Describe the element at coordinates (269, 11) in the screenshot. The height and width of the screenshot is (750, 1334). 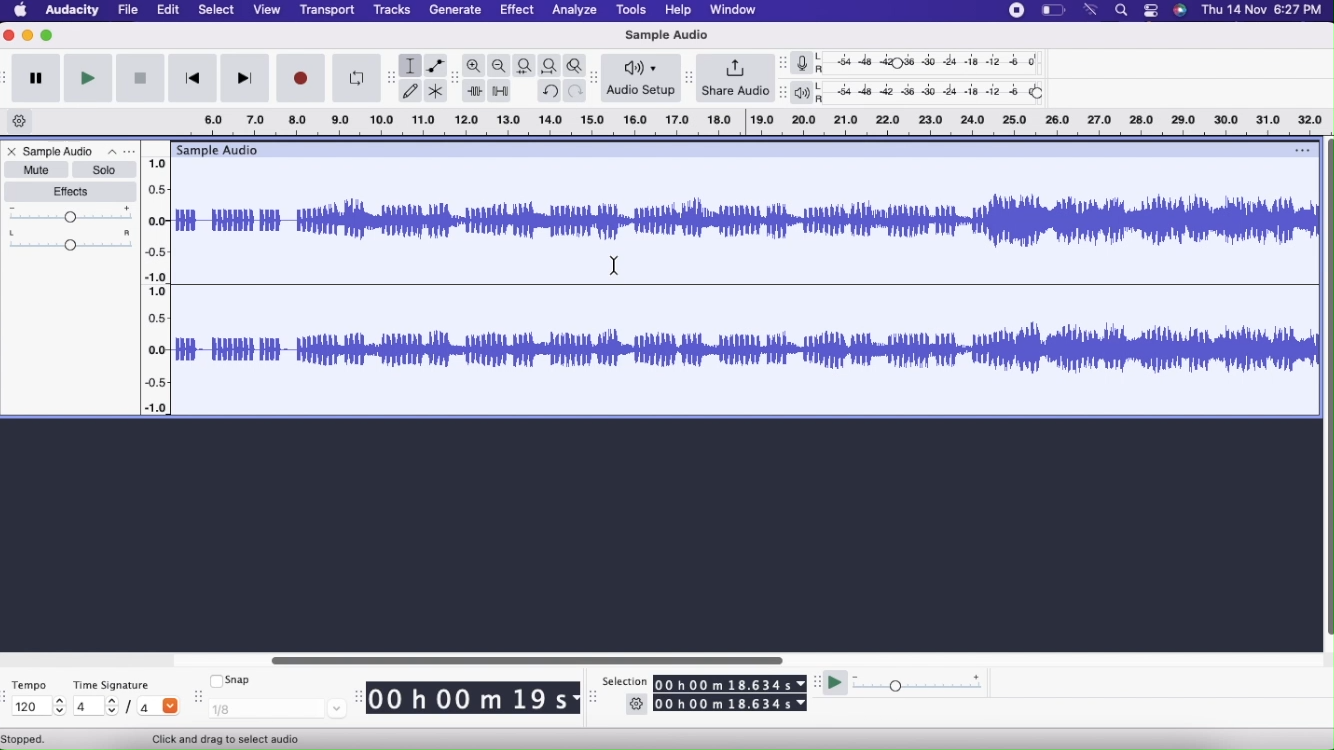
I see `View` at that location.